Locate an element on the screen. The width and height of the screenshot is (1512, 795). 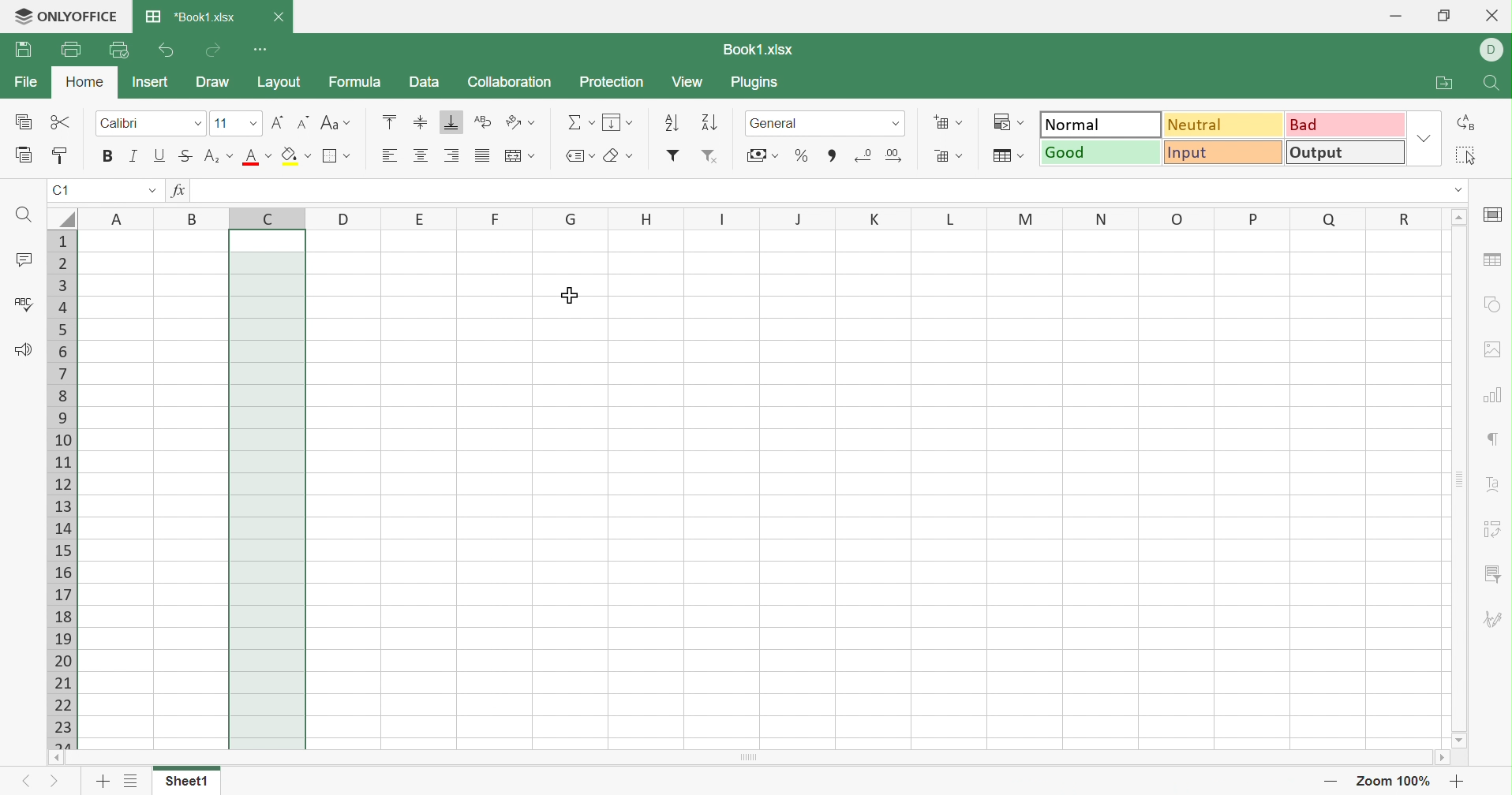
Align Center is located at coordinates (421, 155).